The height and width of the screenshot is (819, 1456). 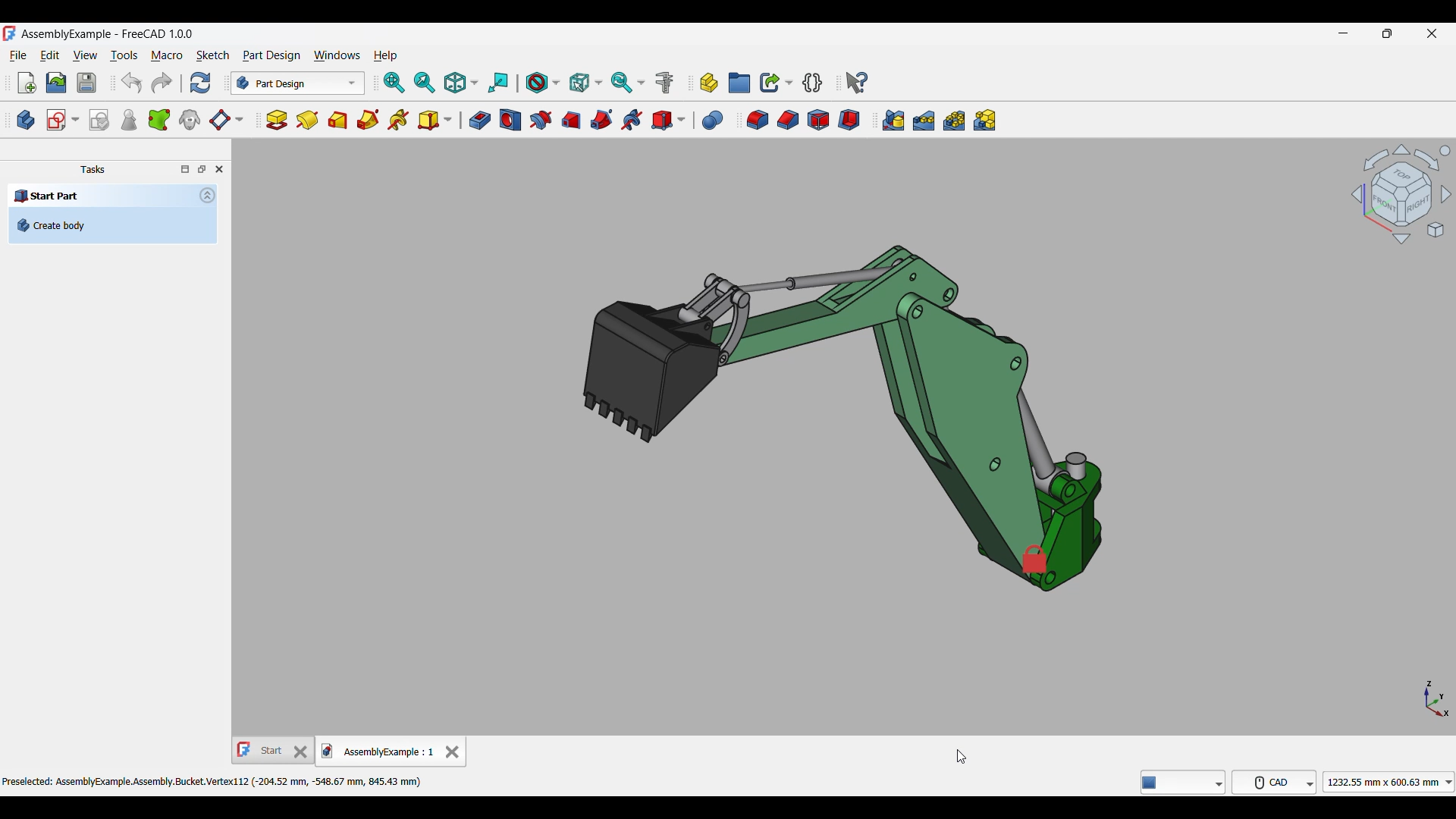 I want to click on Create body, so click(x=112, y=225).